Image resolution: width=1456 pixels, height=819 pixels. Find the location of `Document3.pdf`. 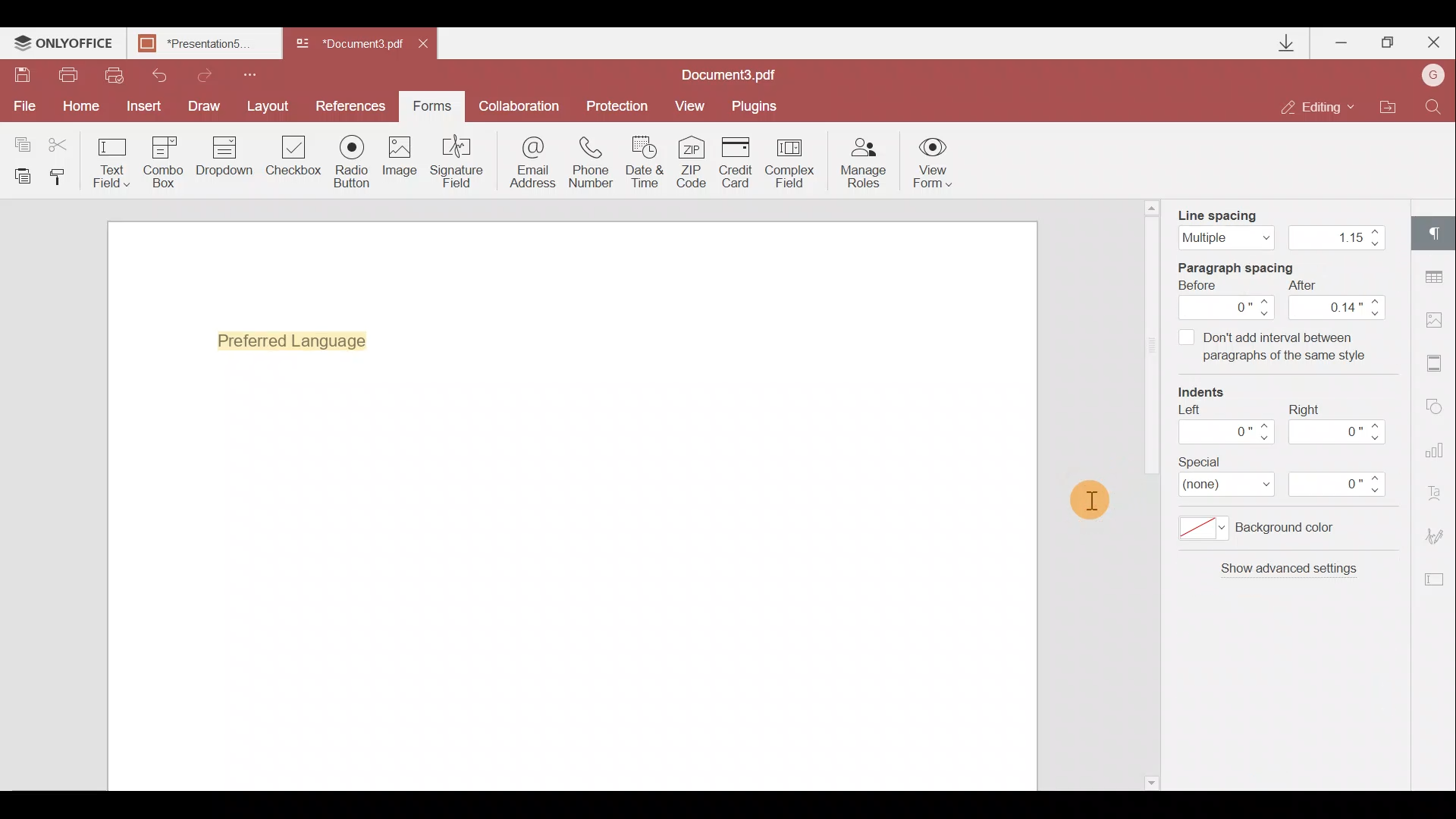

Document3.pdf is located at coordinates (349, 45).